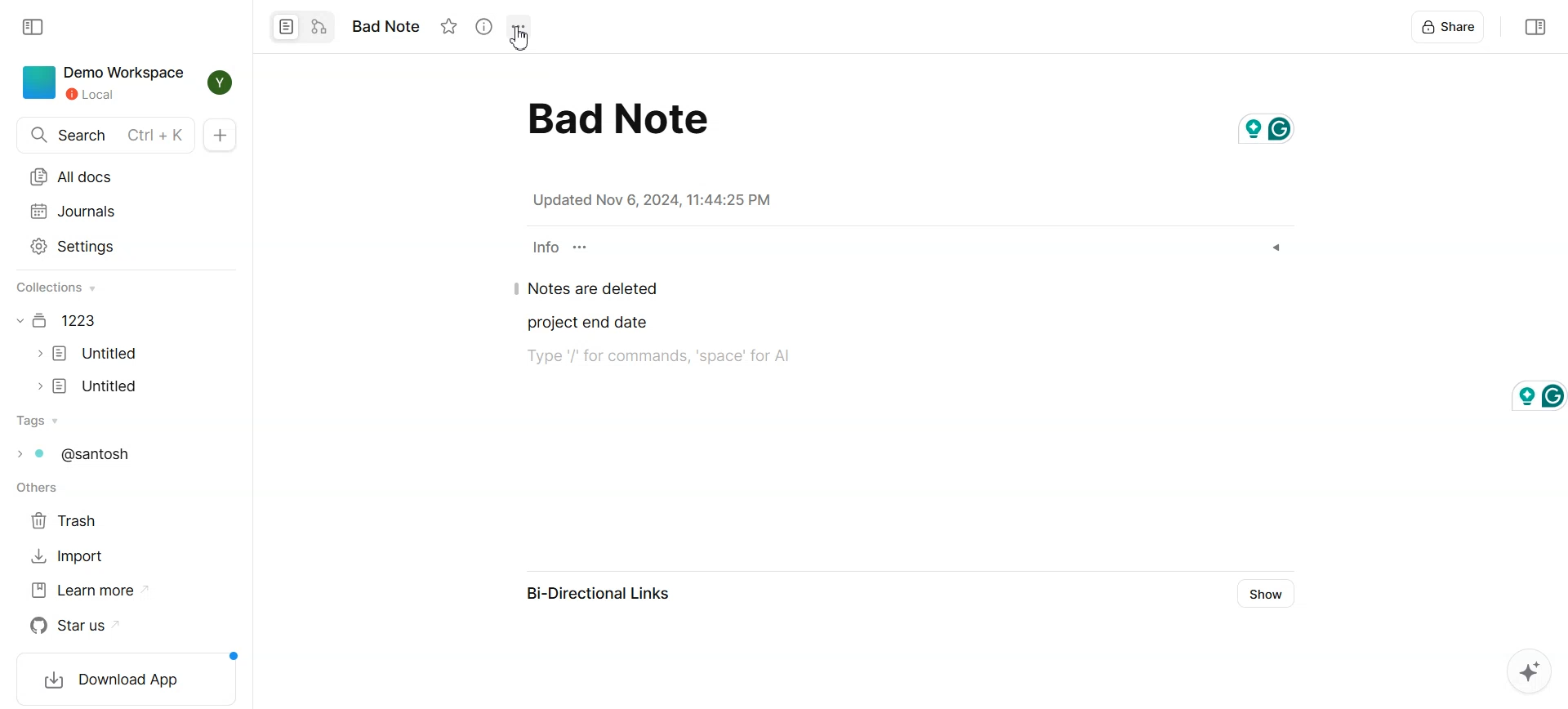 The image size is (1568, 709). Describe the element at coordinates (283, 25) in the screenshot. I see `Convert to Page` at that location.